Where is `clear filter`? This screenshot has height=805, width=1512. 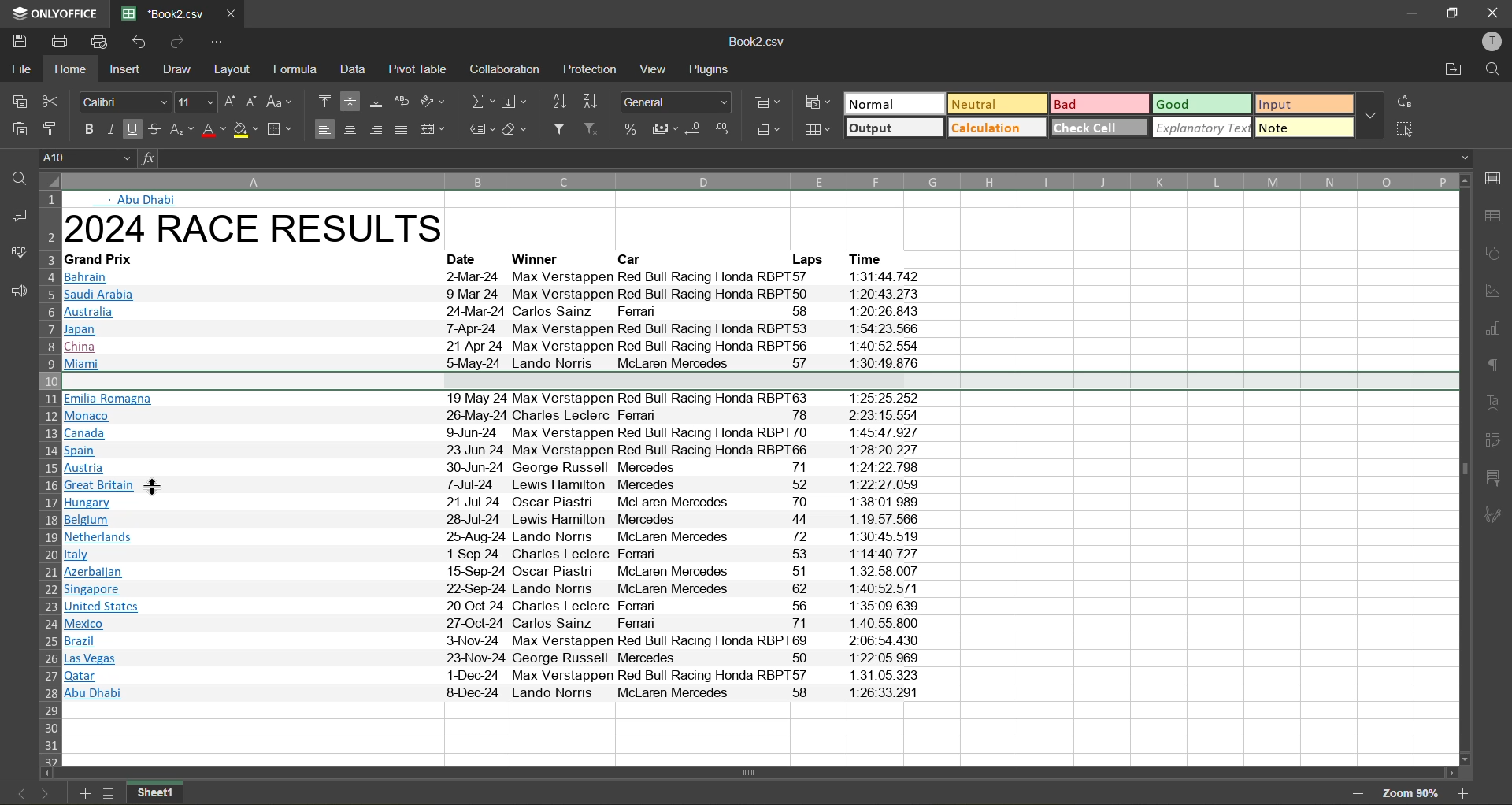 clear filter is located at coordinates (594, 130).